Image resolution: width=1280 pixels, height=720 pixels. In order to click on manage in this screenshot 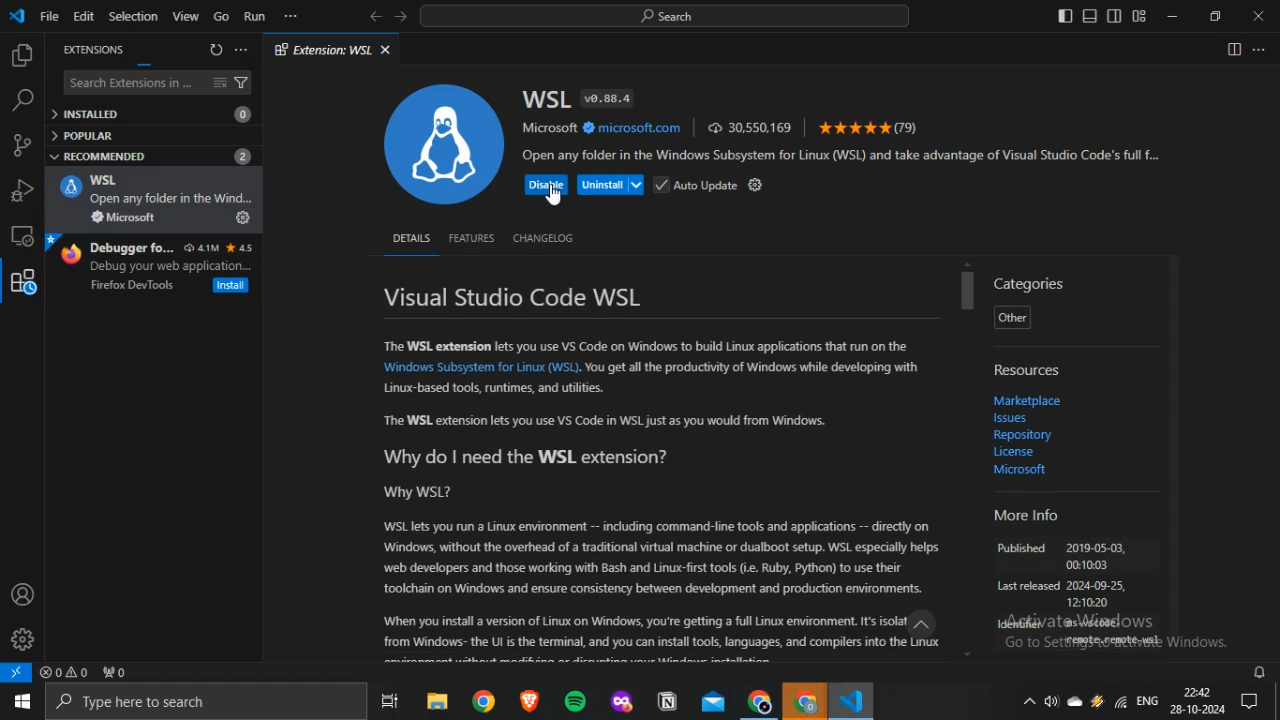, I will do `click(22, 639)`.